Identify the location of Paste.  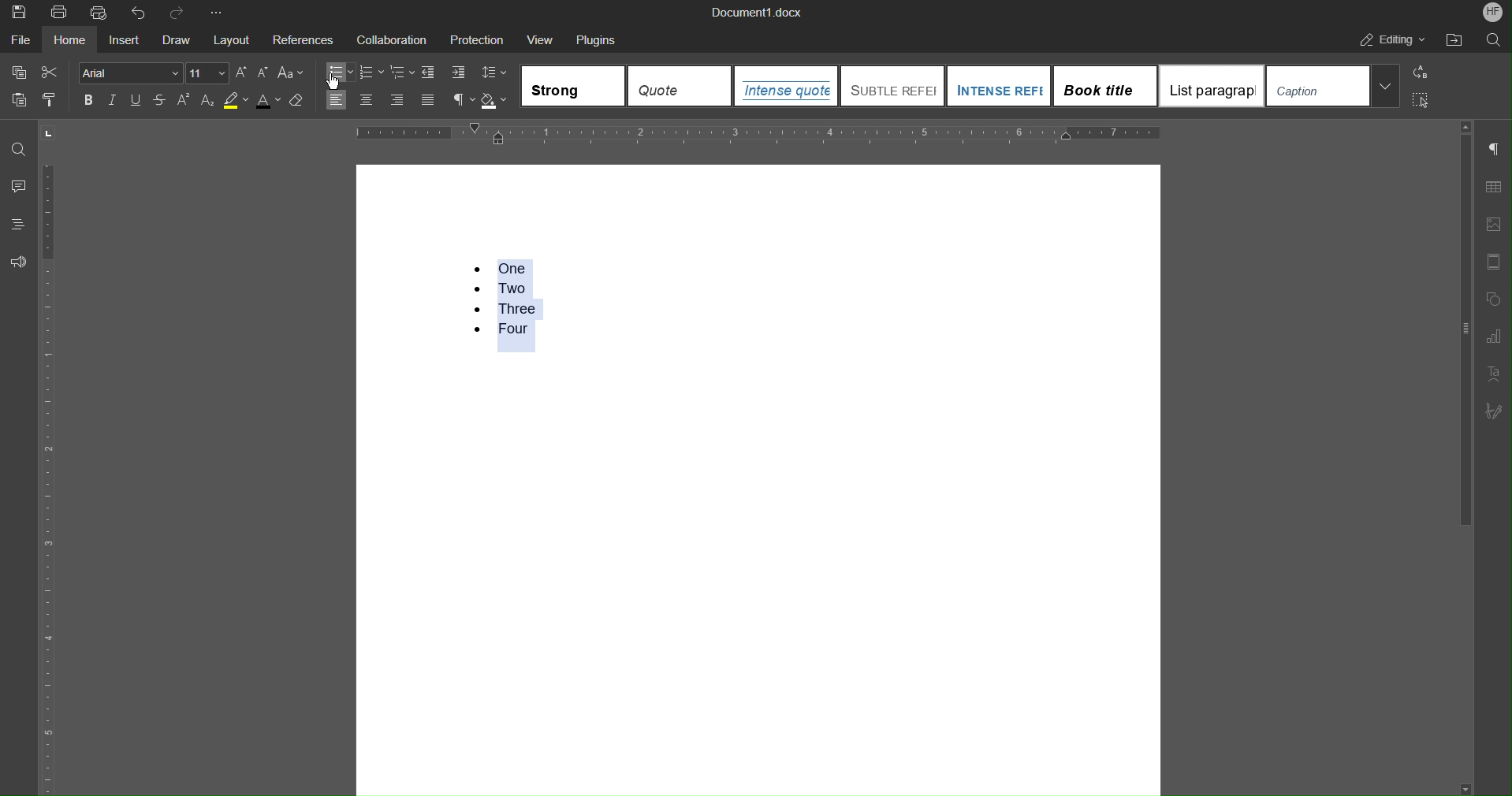
(17, 99).